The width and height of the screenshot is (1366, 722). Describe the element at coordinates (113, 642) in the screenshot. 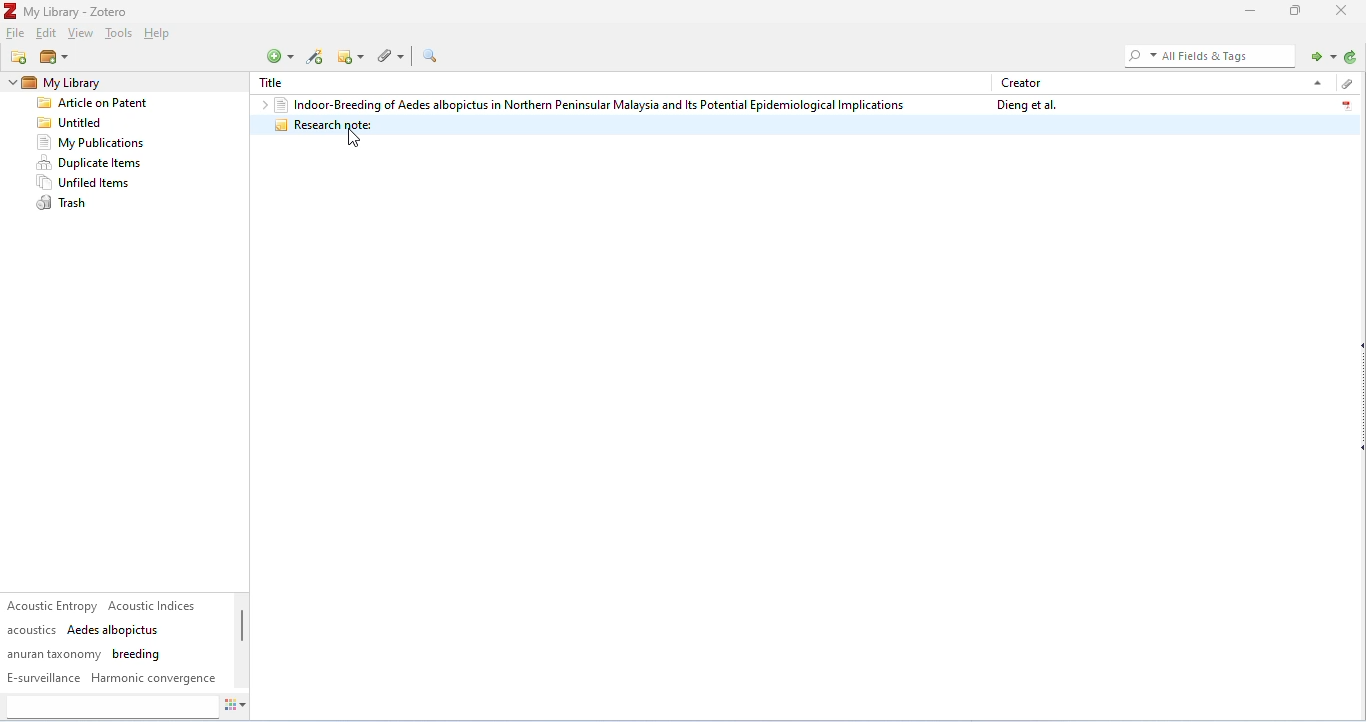

I see `tags` at that location.